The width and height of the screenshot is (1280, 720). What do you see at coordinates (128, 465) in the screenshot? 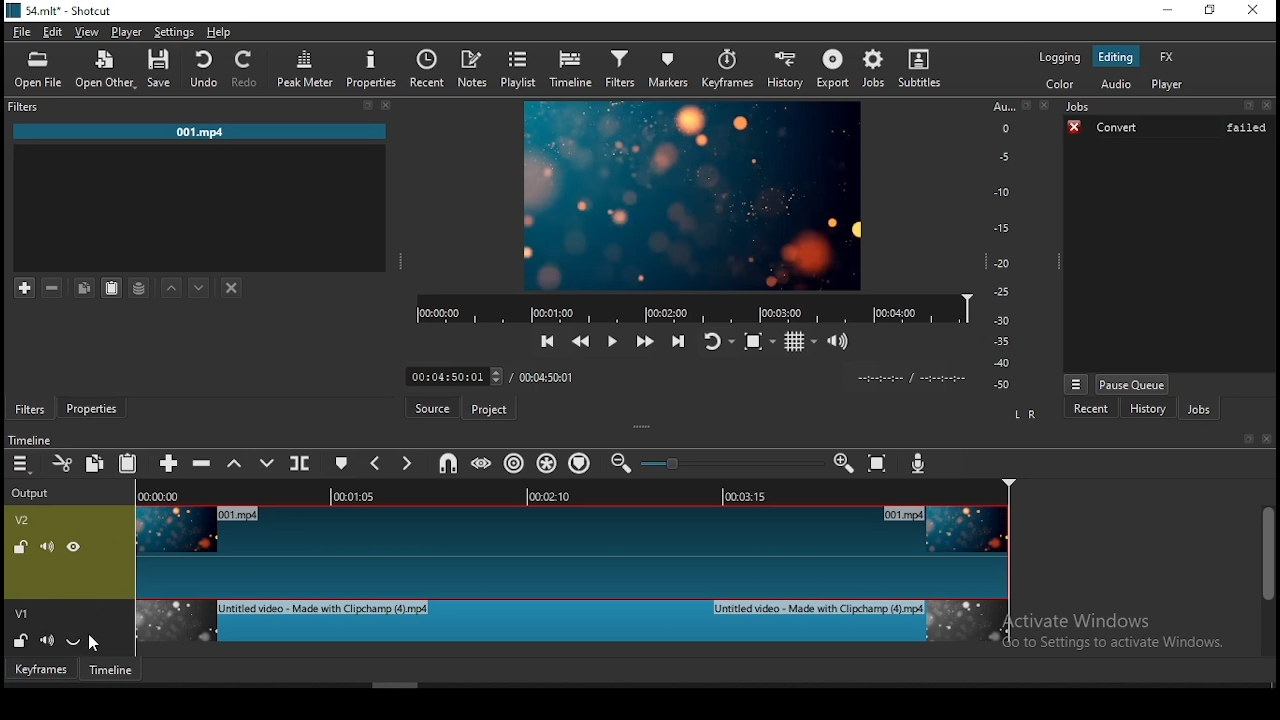
I see `paste` at bounding box center [128, 465].